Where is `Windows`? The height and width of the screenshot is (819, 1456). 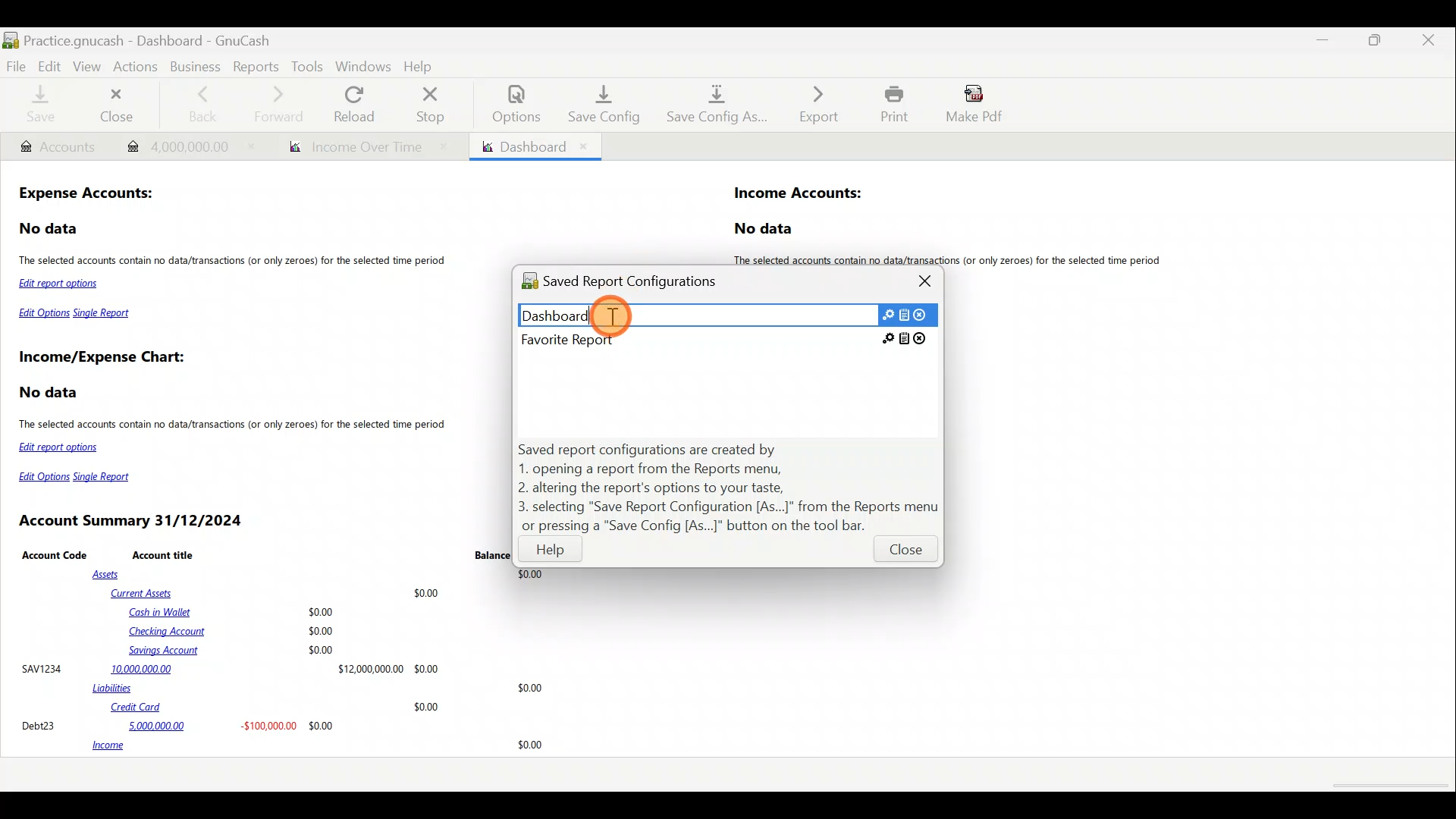
Windows is located at coordinates (363, 66).